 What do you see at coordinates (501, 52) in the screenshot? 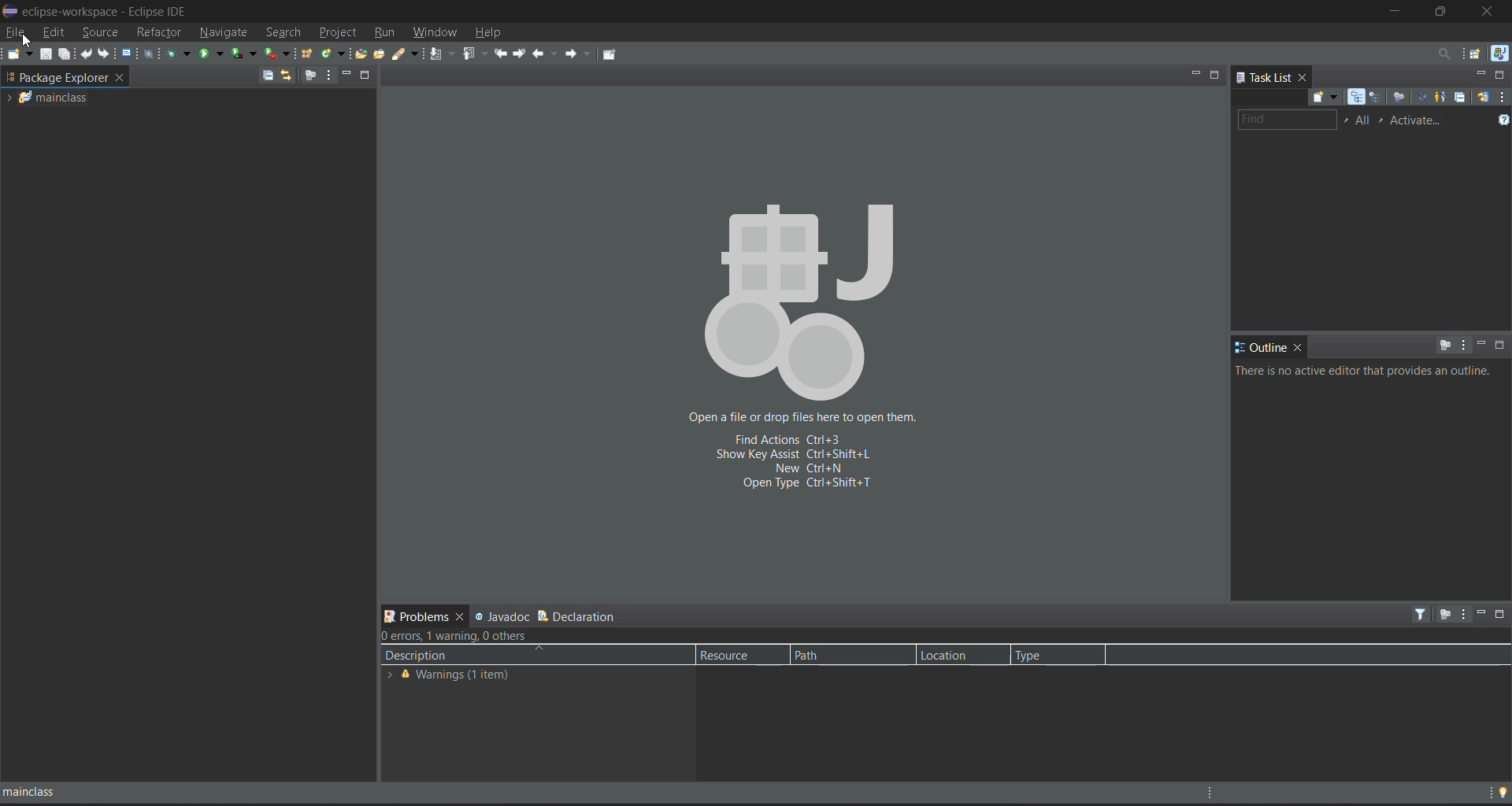
I see `previous edit location` at bounding box center [501, 52].